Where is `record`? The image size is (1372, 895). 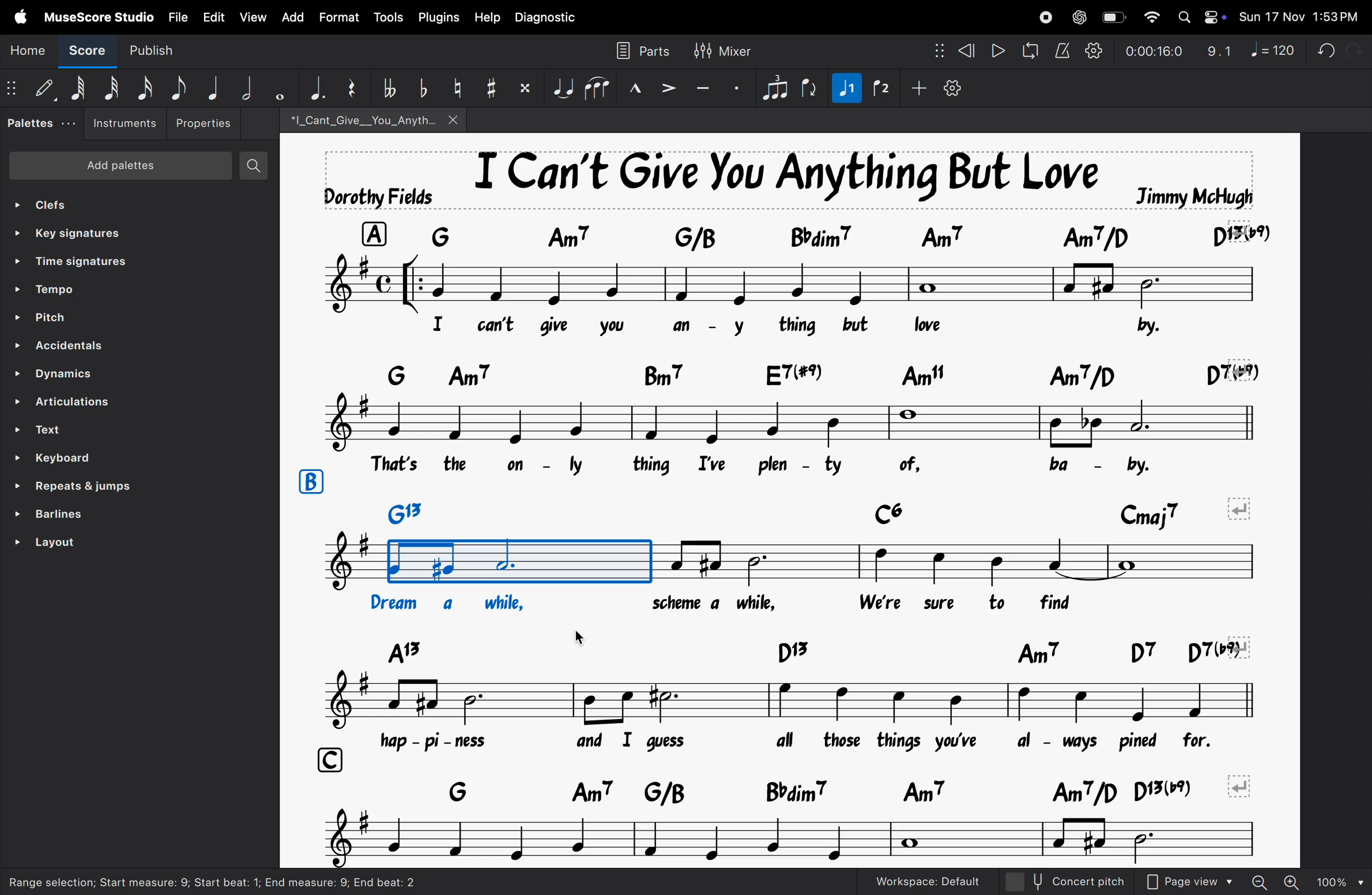 record is located at coordinates (1041, 18).